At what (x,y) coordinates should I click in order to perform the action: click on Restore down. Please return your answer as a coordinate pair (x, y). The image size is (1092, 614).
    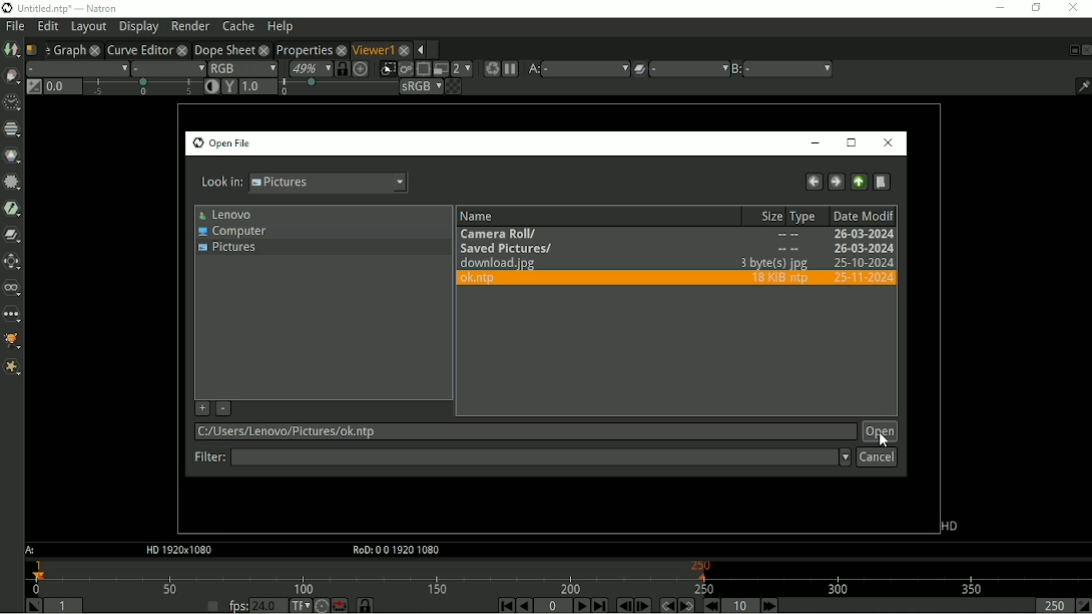
    Looking at the image, I should click on (1035, 8).